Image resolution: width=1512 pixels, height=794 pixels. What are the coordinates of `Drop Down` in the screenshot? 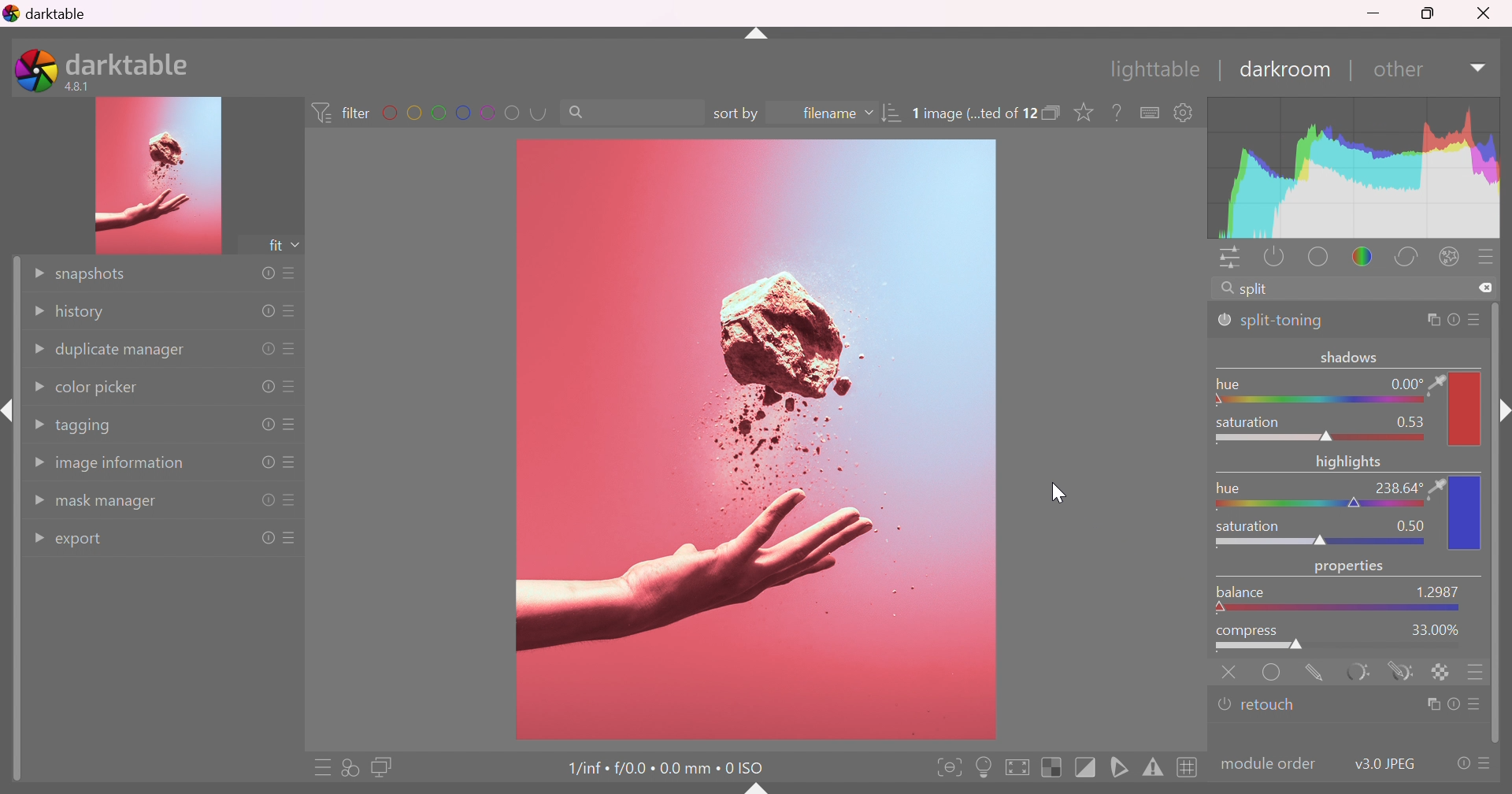 It's located at (39, 423).